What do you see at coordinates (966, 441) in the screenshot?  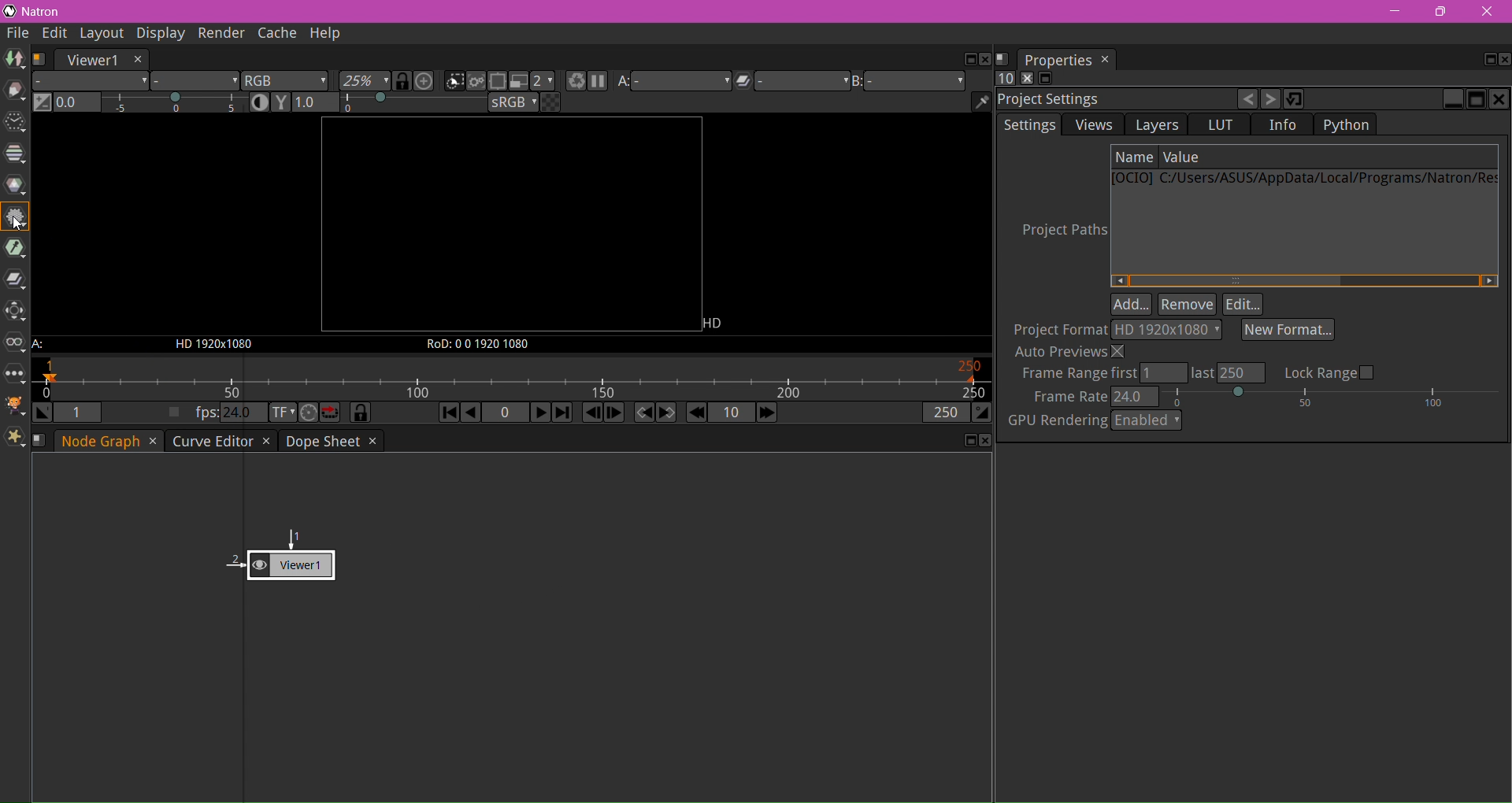 I see `Float pane` at bounding box center [966, 441].